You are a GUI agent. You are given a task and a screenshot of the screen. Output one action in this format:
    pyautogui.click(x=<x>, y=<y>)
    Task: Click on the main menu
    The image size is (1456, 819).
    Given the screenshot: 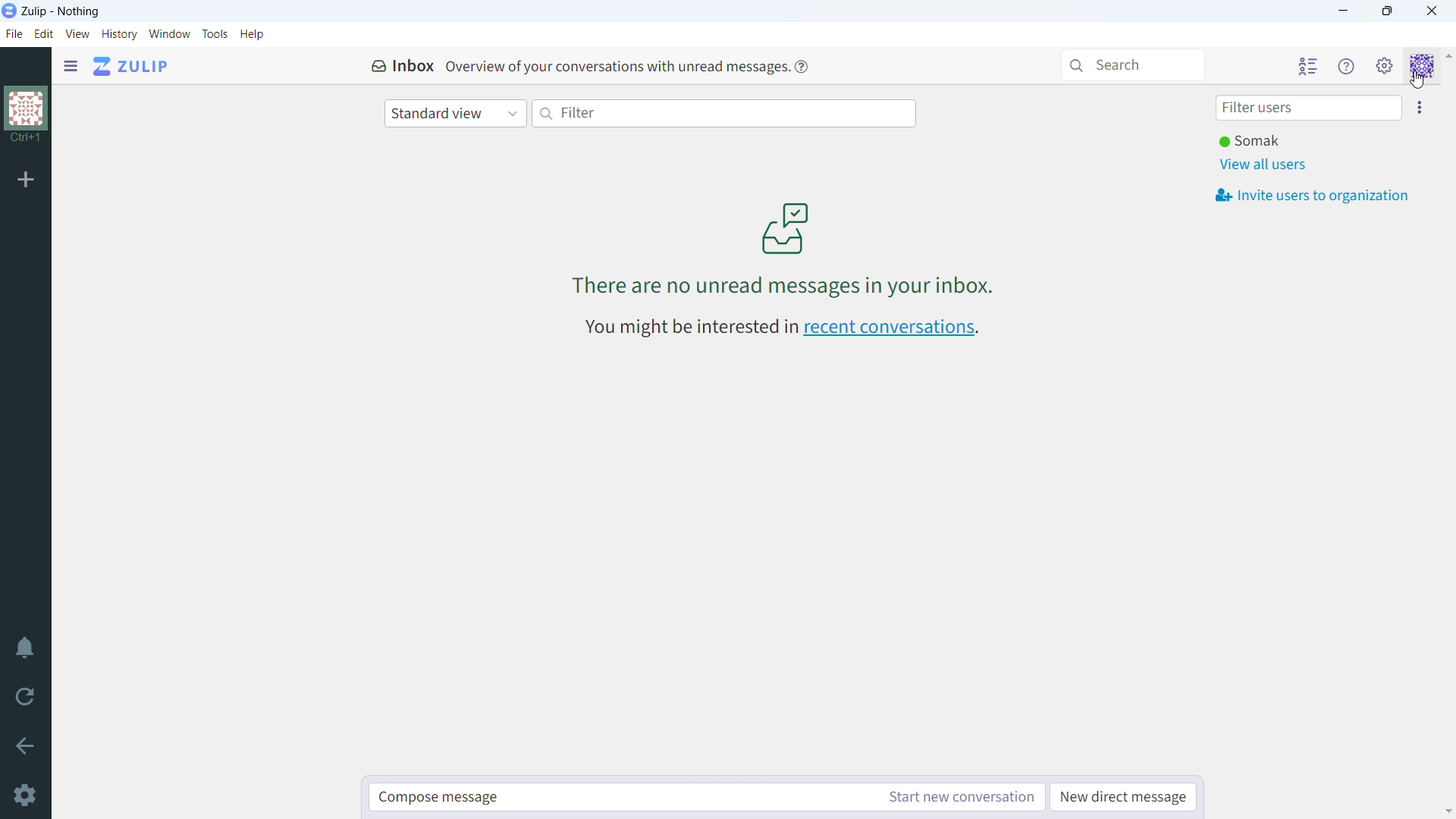 What is the action you would take?
    pyautogui.click(x=1385, y=67)
    